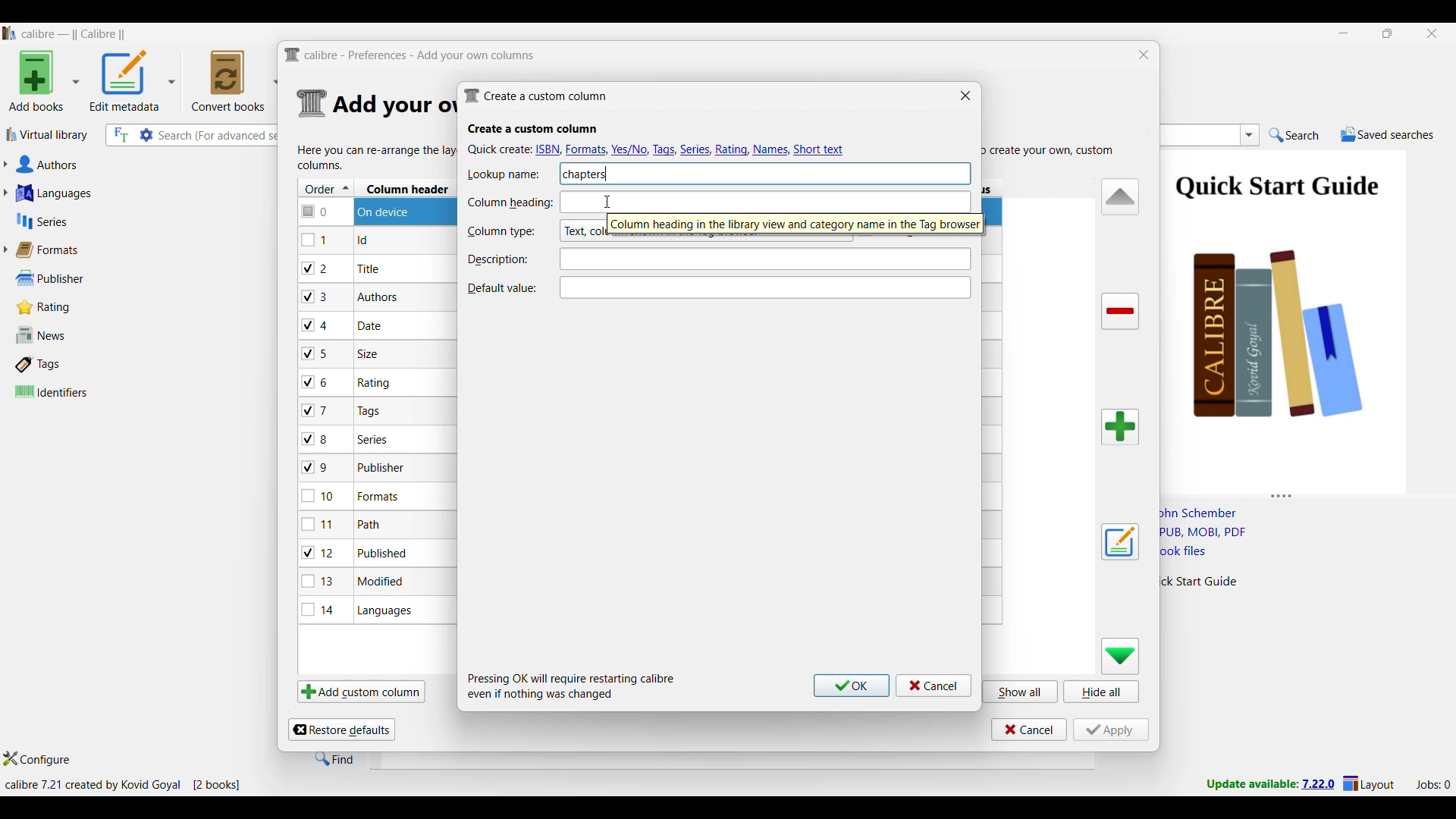 Image resolution: width=1456 pixels, height=819 pixels. I want to click on Column type options, so click(580, 231).